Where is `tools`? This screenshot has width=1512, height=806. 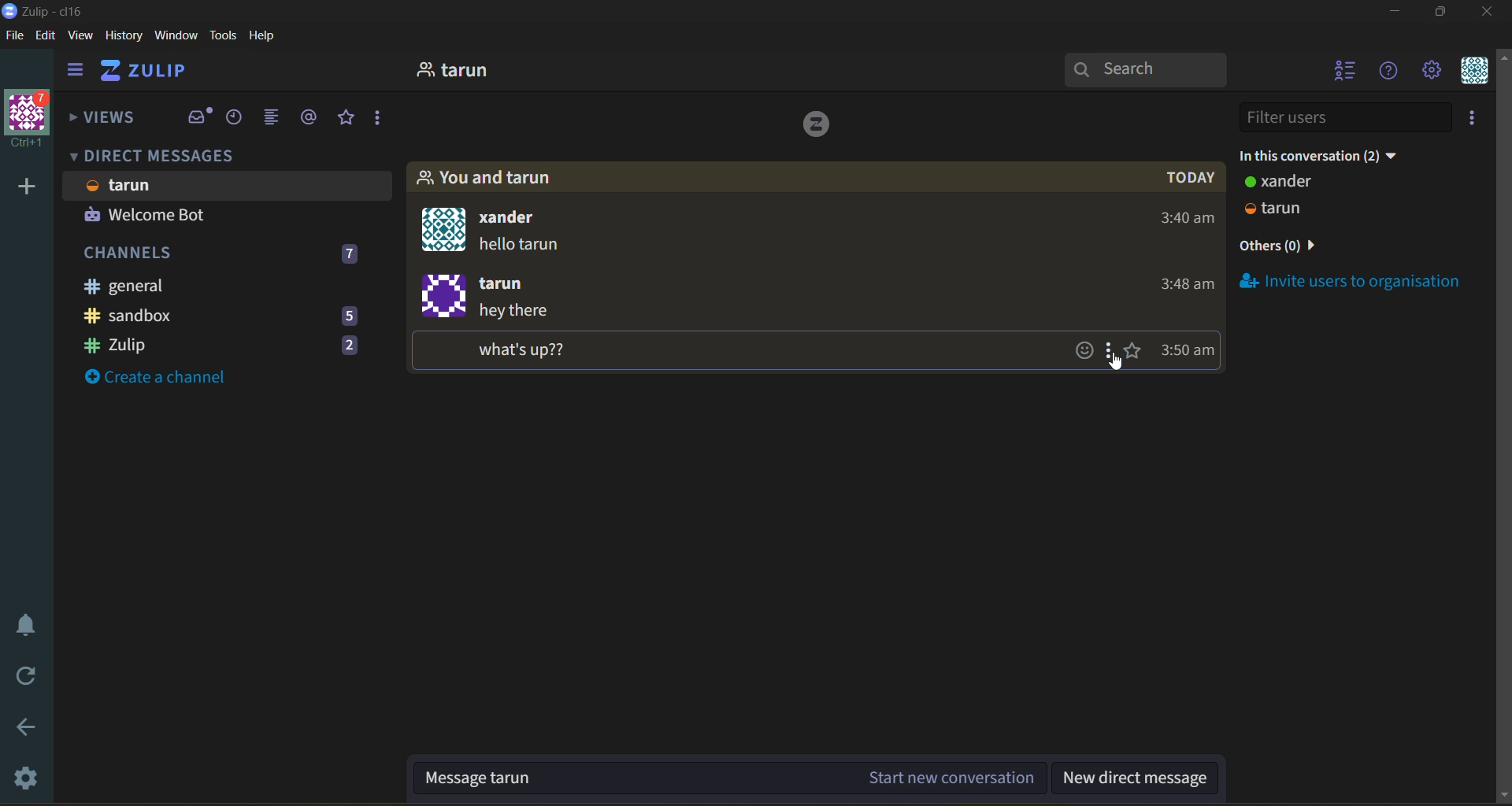
tools is located at coordinates (223, 35).